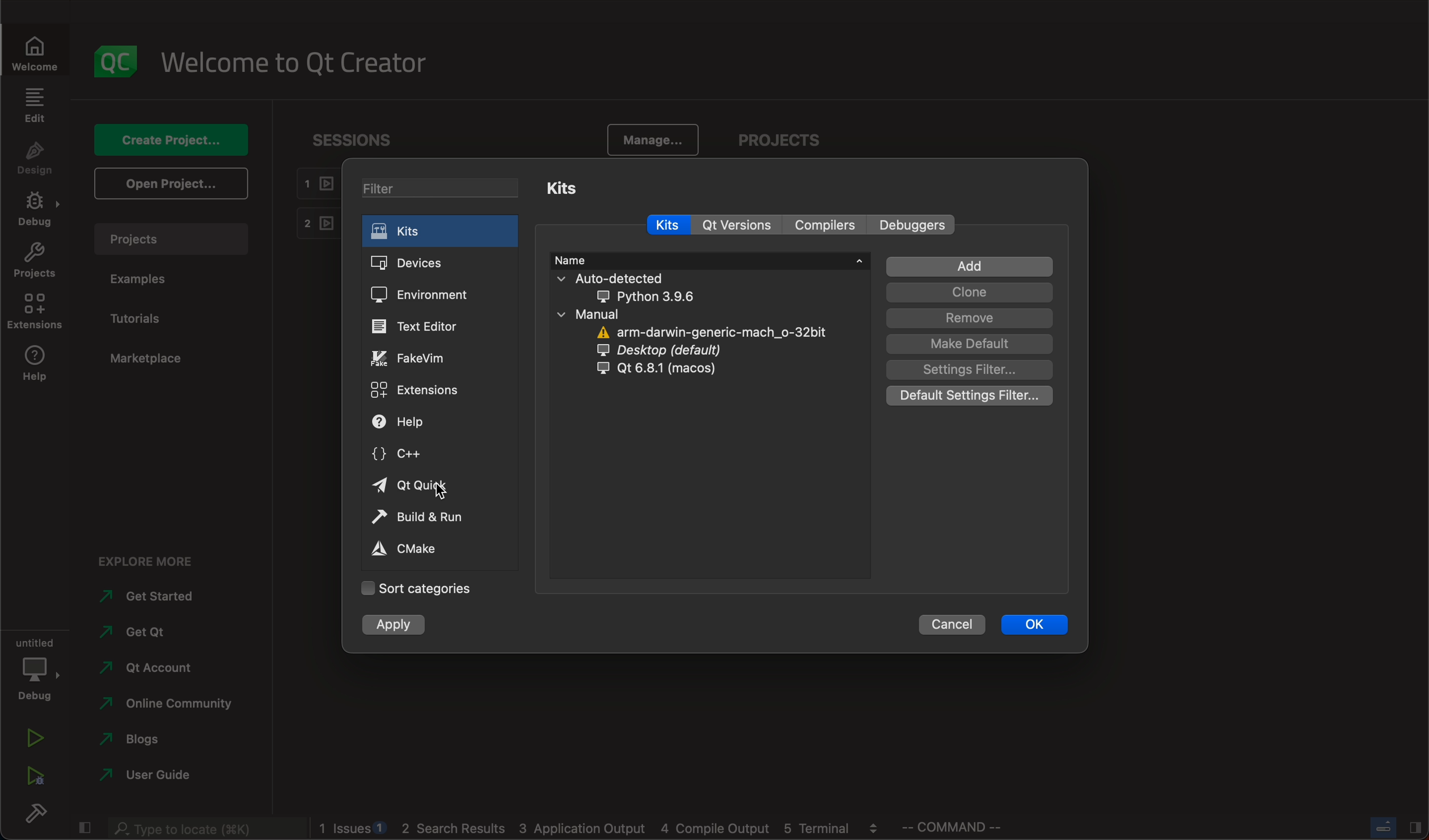 The height and width of the screenshot is (840, 1429). Describe the element at coordinates (407, 625) in the screenshot. I see `apply` at that location.